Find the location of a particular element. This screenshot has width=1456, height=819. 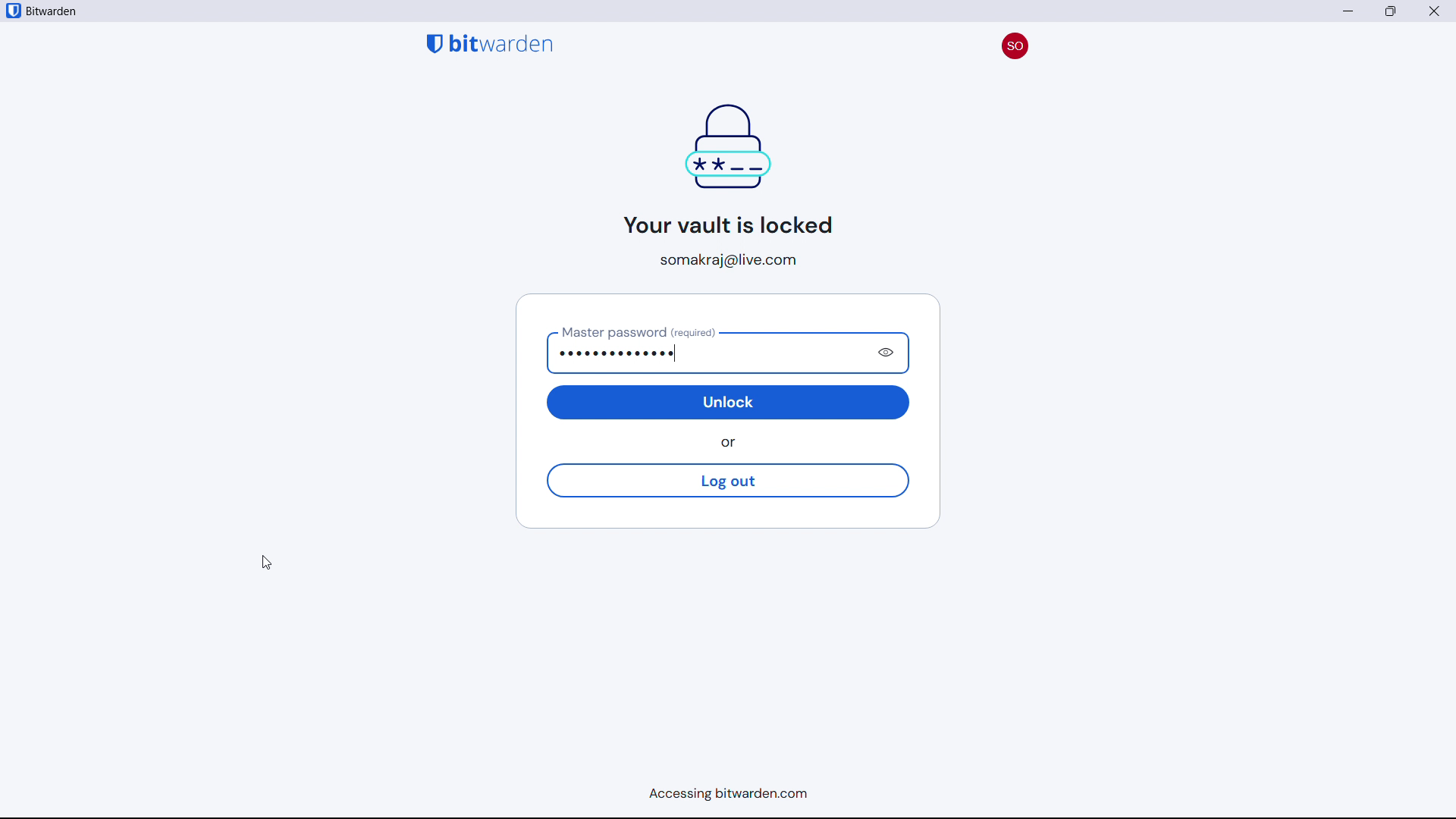

Toggle visibility  is located at coordinates (889, 353).